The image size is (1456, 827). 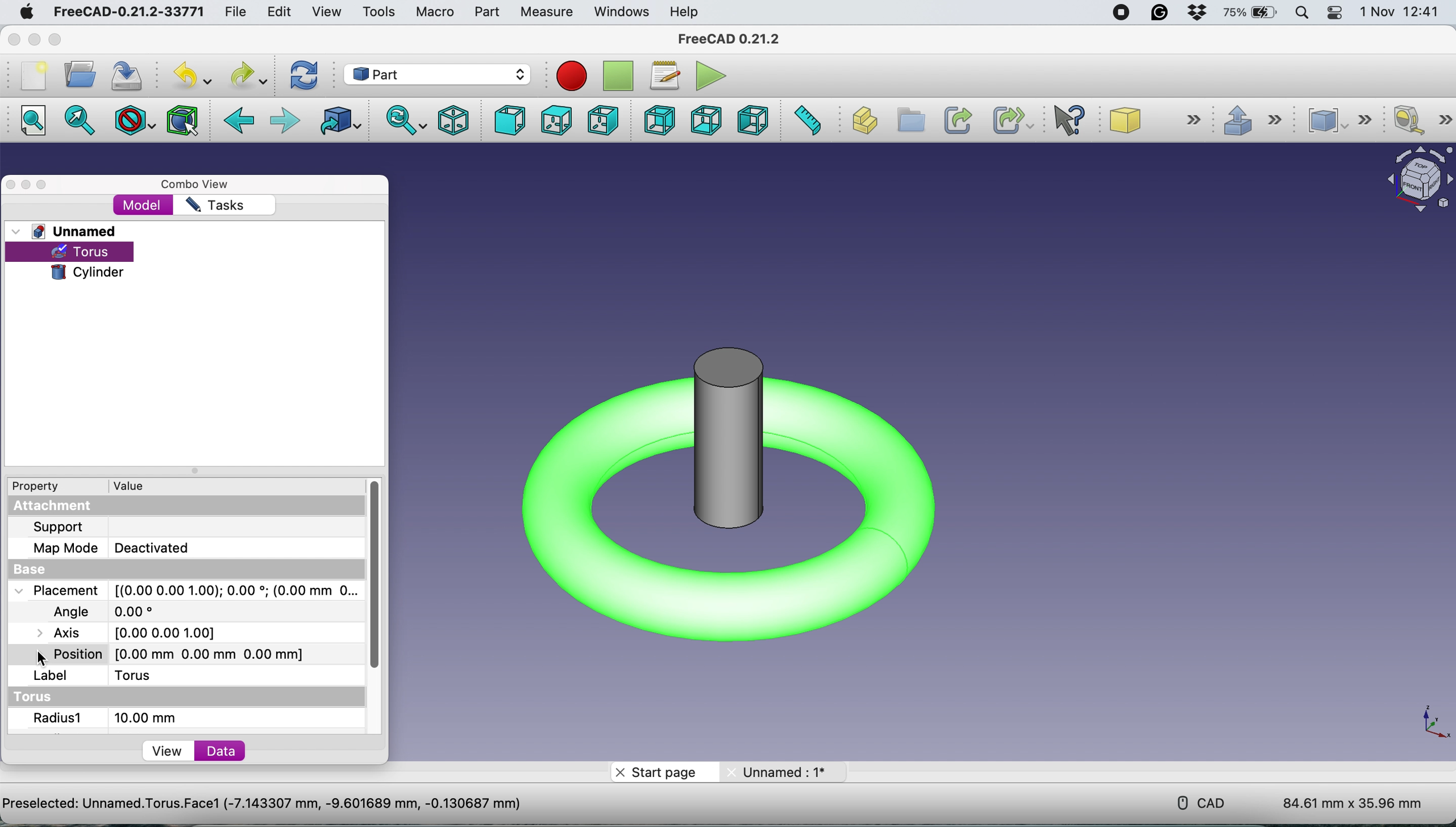 I want to click on bounding box, so click(x=184, y=120).